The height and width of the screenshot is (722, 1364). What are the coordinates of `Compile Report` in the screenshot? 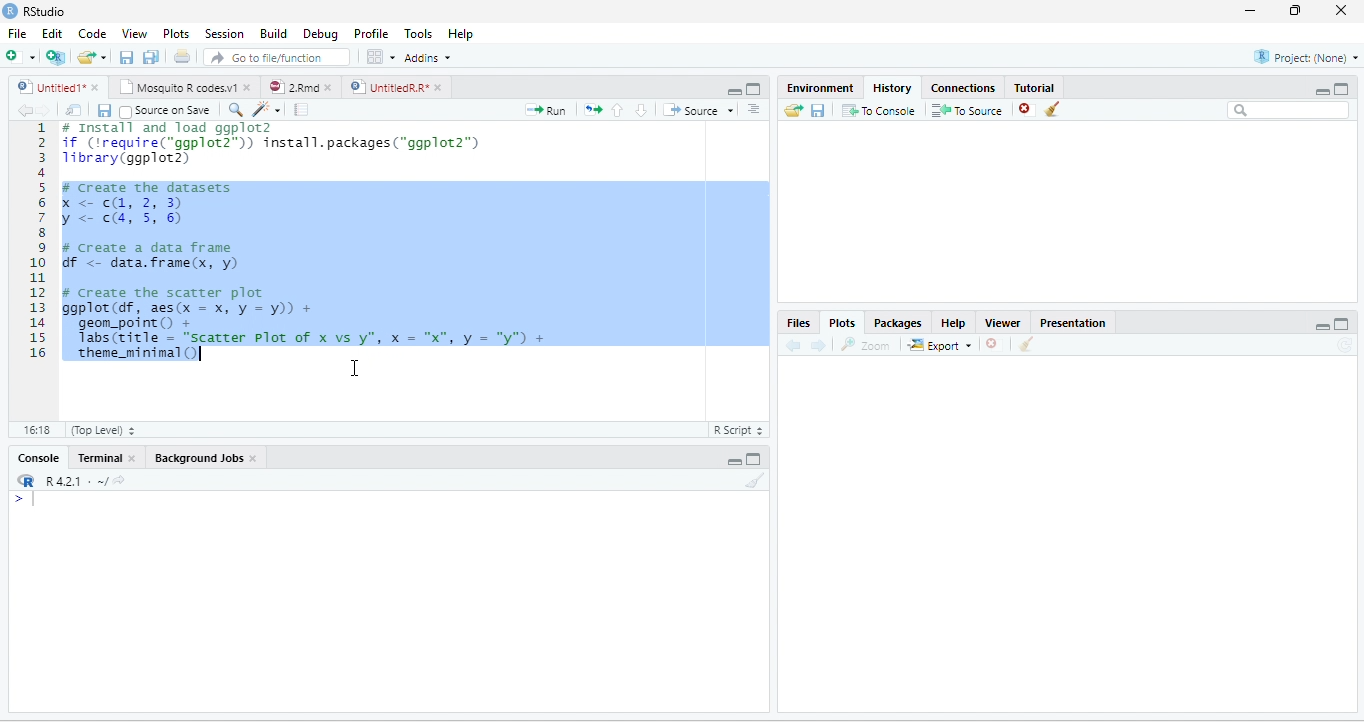 It's located at (301, 110).